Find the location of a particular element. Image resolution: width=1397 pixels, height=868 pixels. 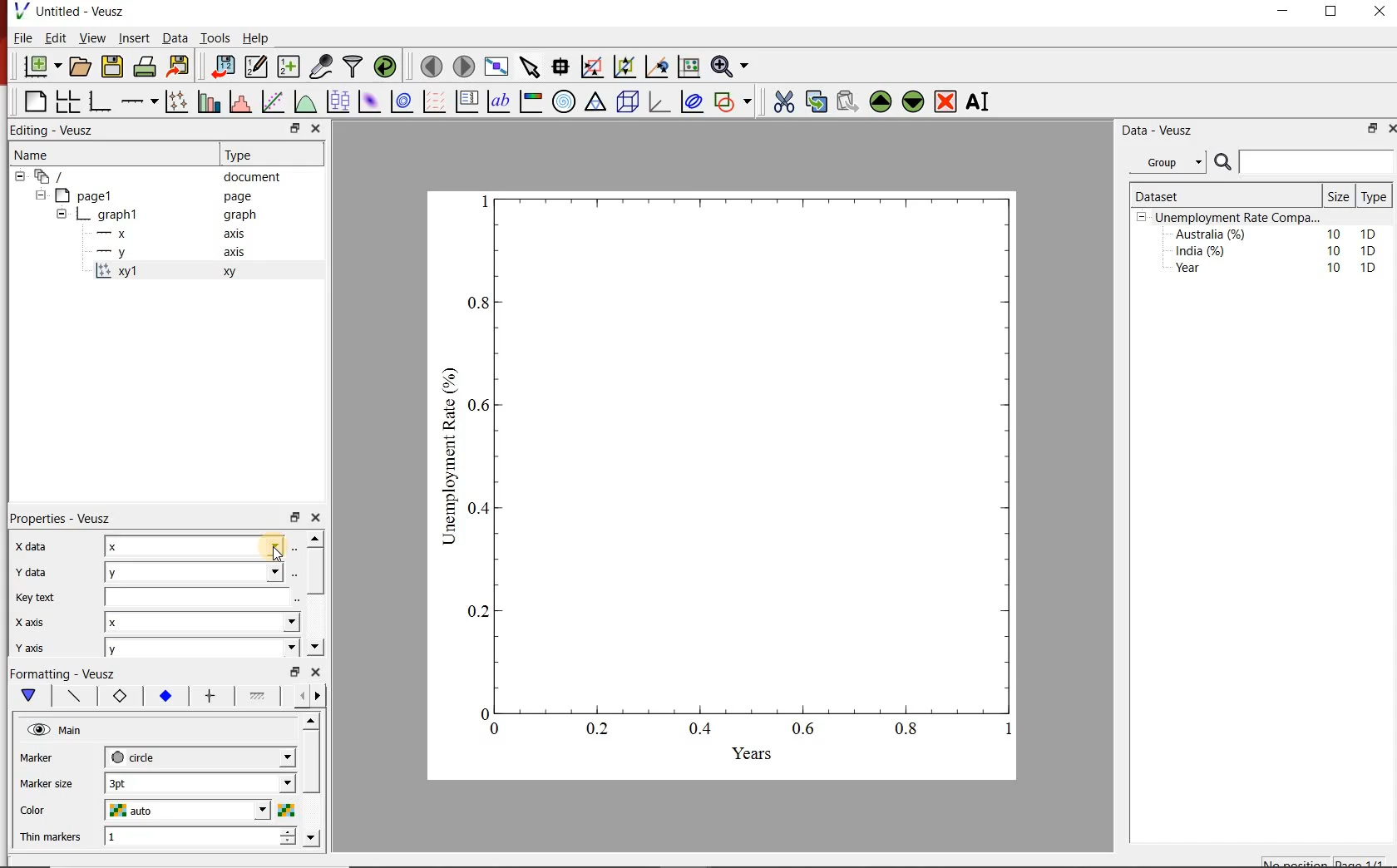

rename the widgets is located at coordinates (981, 101).